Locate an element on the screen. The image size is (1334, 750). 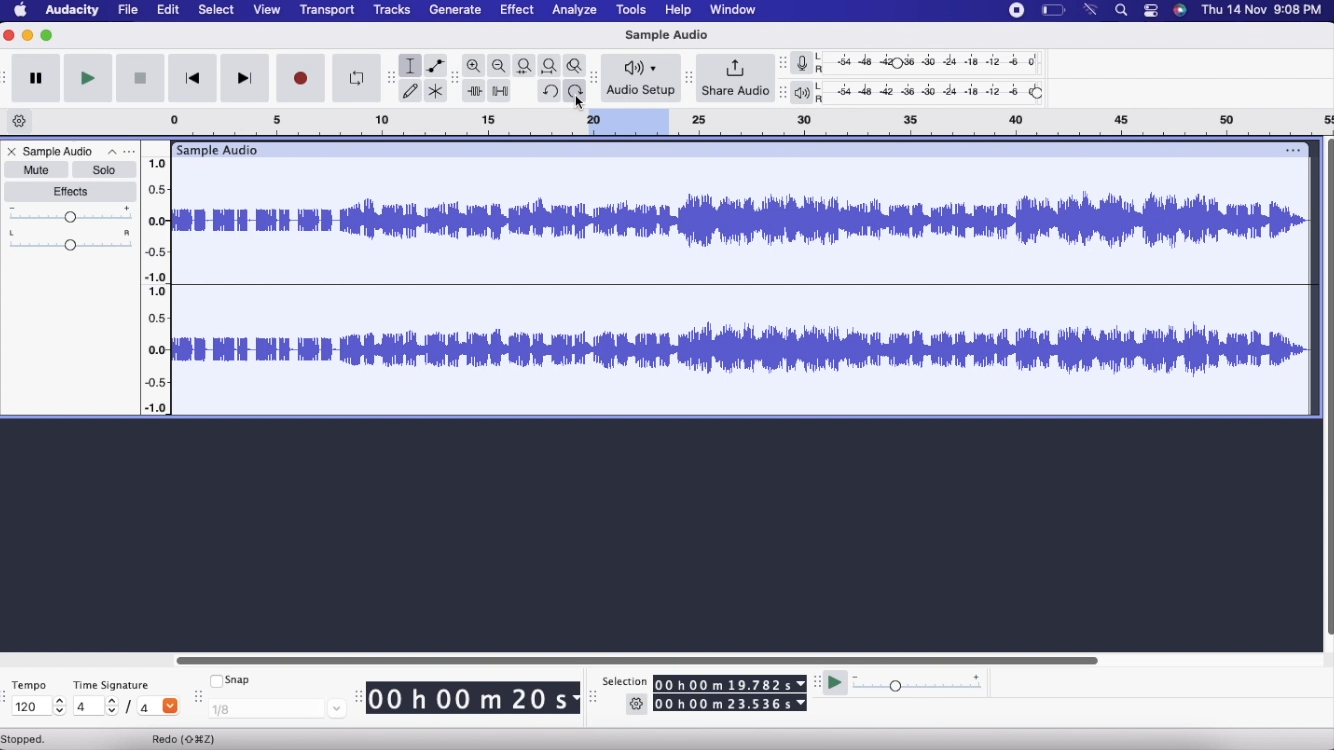
move toolbar is located at coordinates (816, 682).